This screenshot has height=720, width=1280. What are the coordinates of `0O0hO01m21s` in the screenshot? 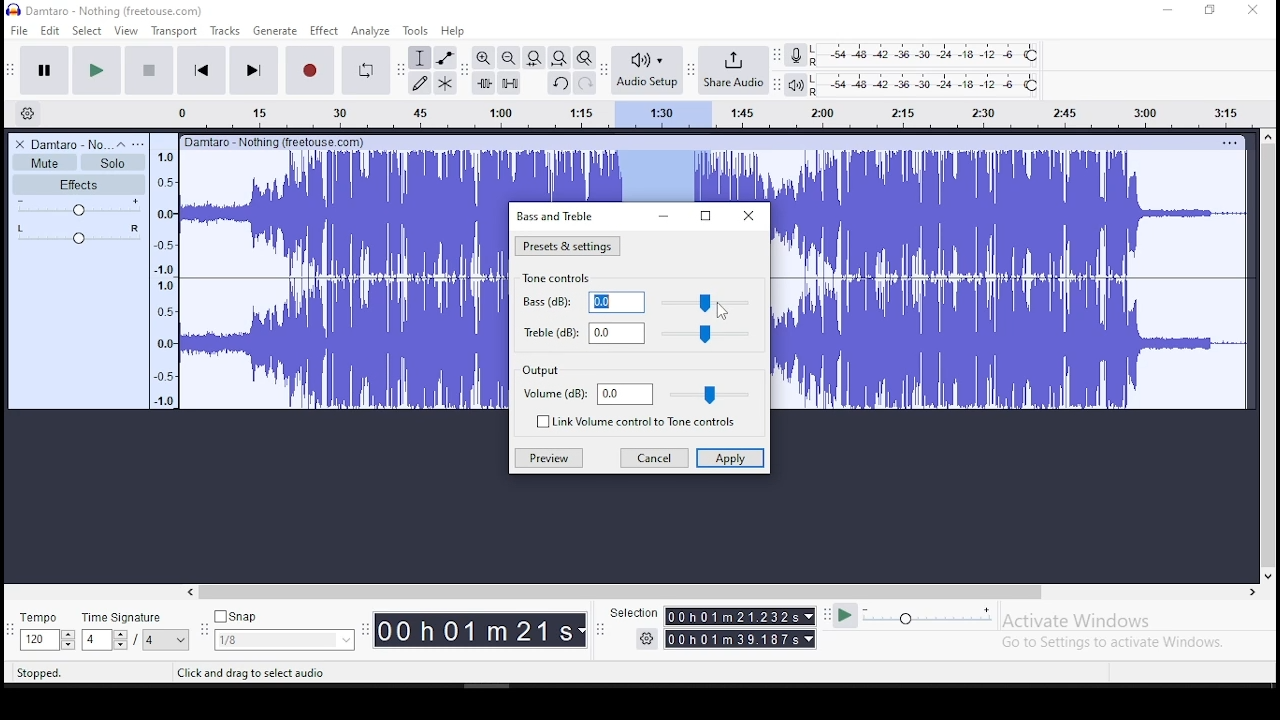 It's located at (475, 630).